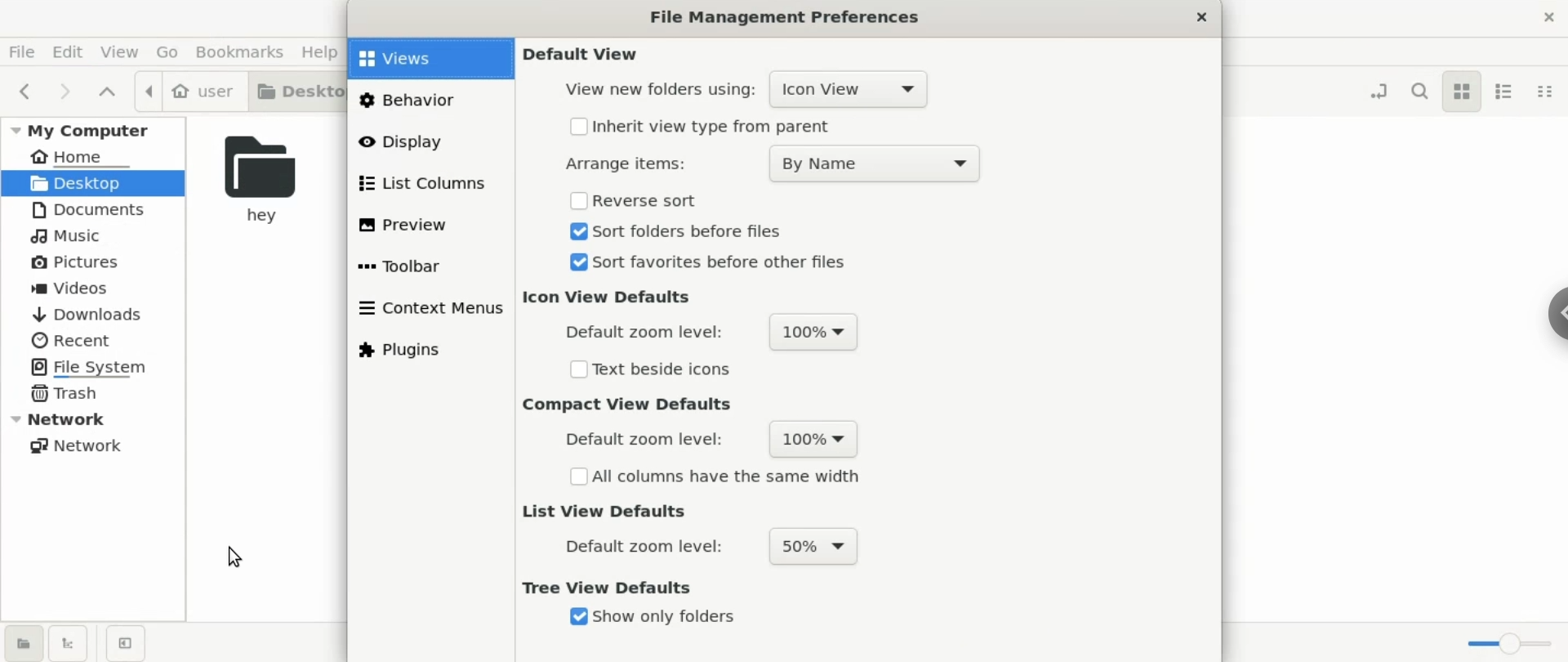 This screenshot has width=1568, height=662. I want to click on hey, so click(258, 183).